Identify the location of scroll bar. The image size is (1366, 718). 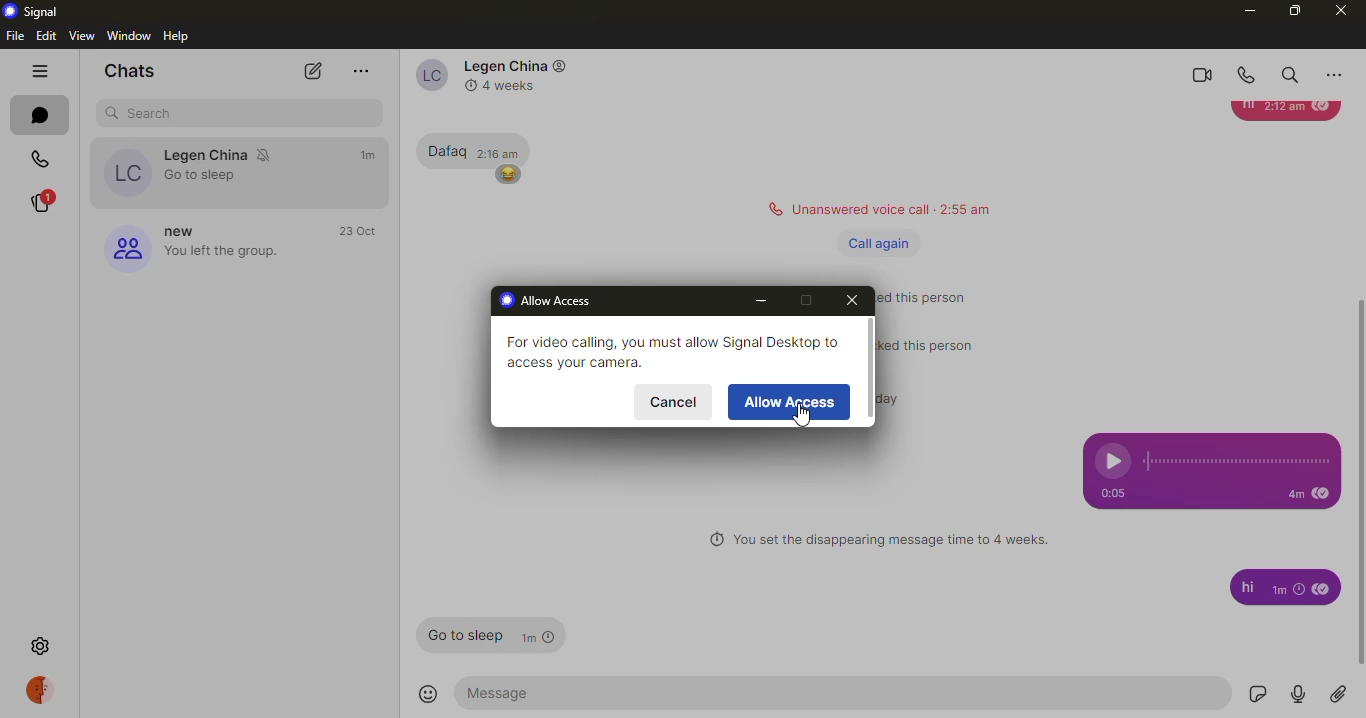
(870, 373).